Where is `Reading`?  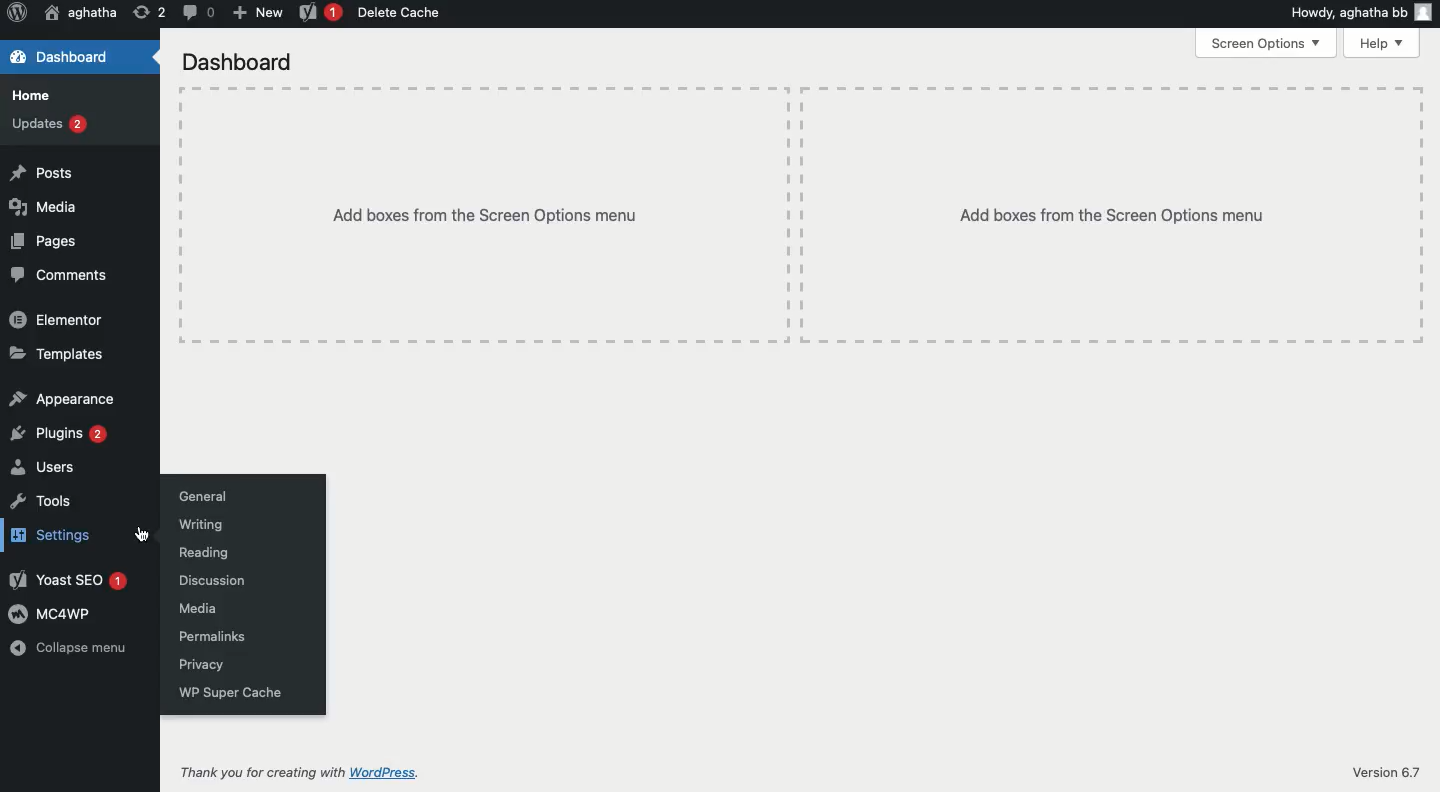
Reading is located at coordinates (201, 554).